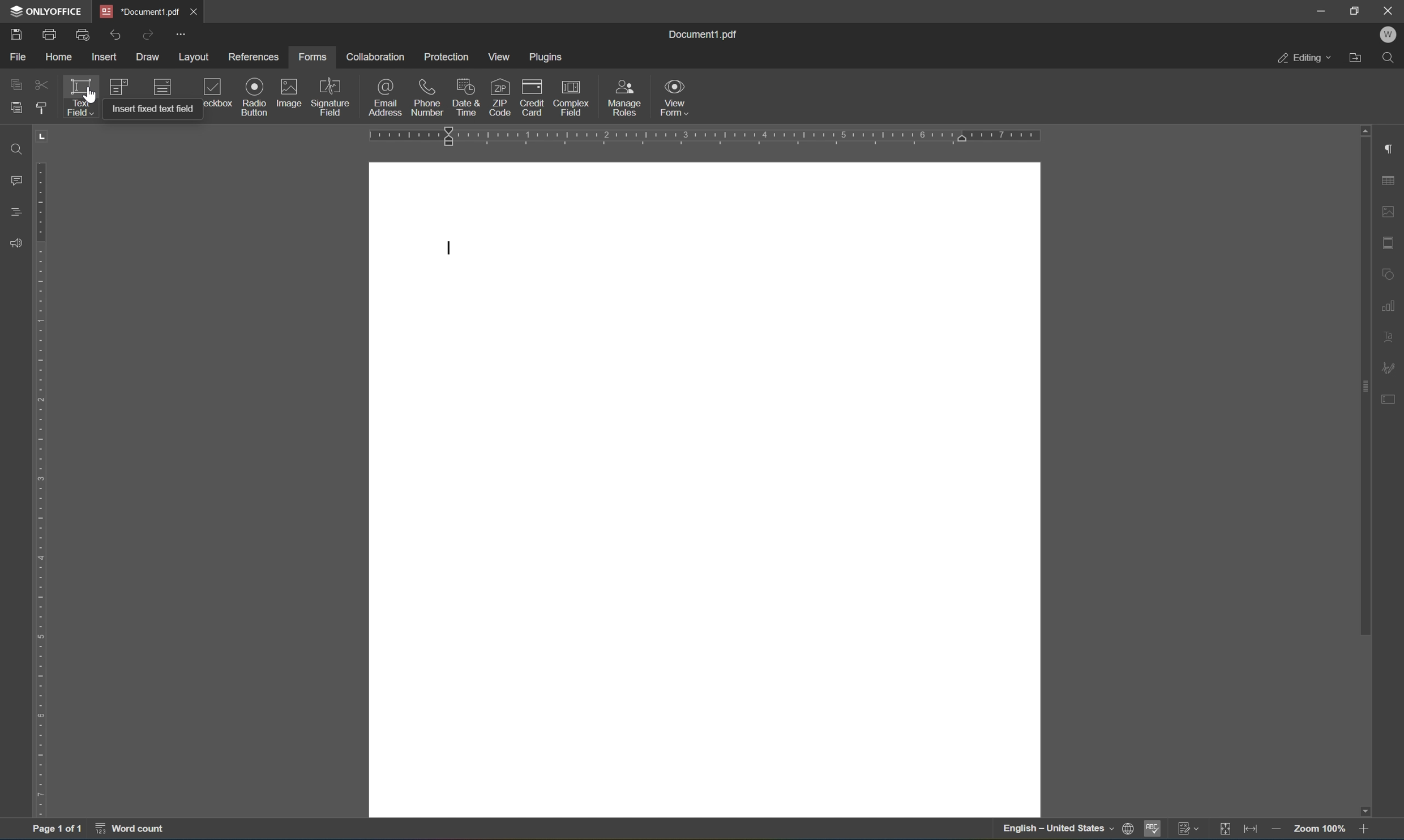 The height and width of the screenshot is (840, 1404). Describe the element at coordinates (549, 57) in the screenshot. I see `plugins` at that location.